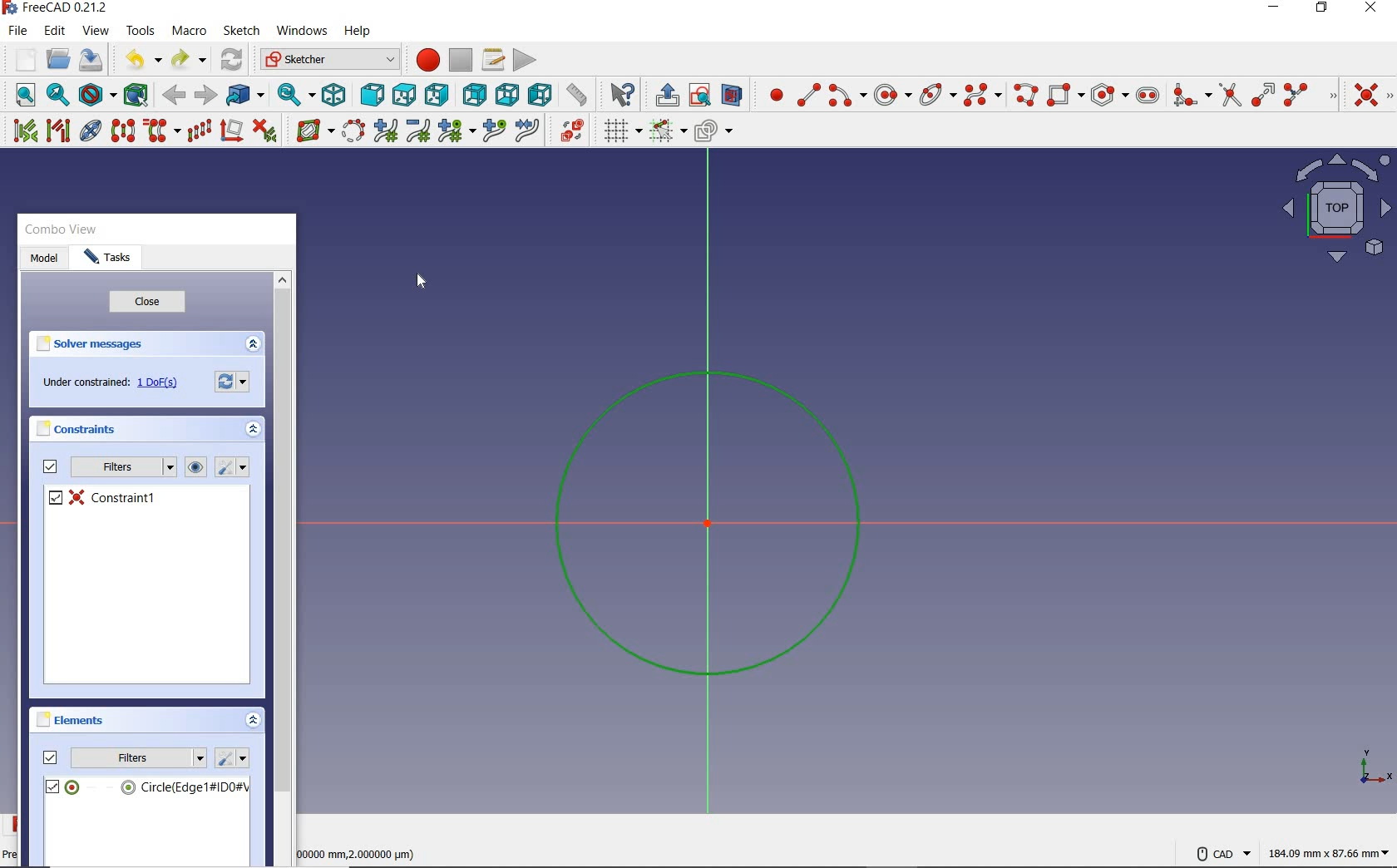  I want to click on open, so click(58, 60).